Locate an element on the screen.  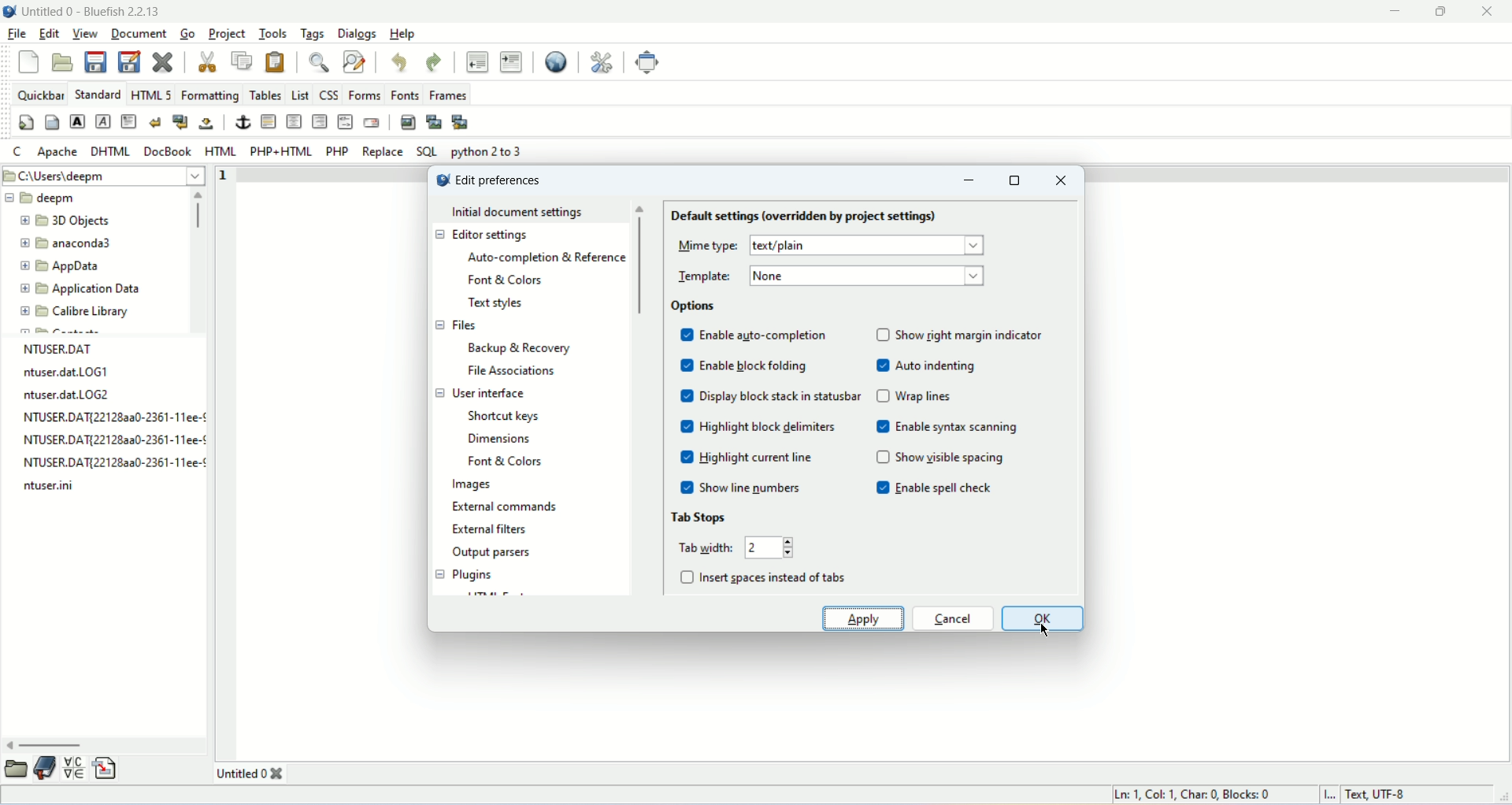
body is located at coordinates (53, 121).